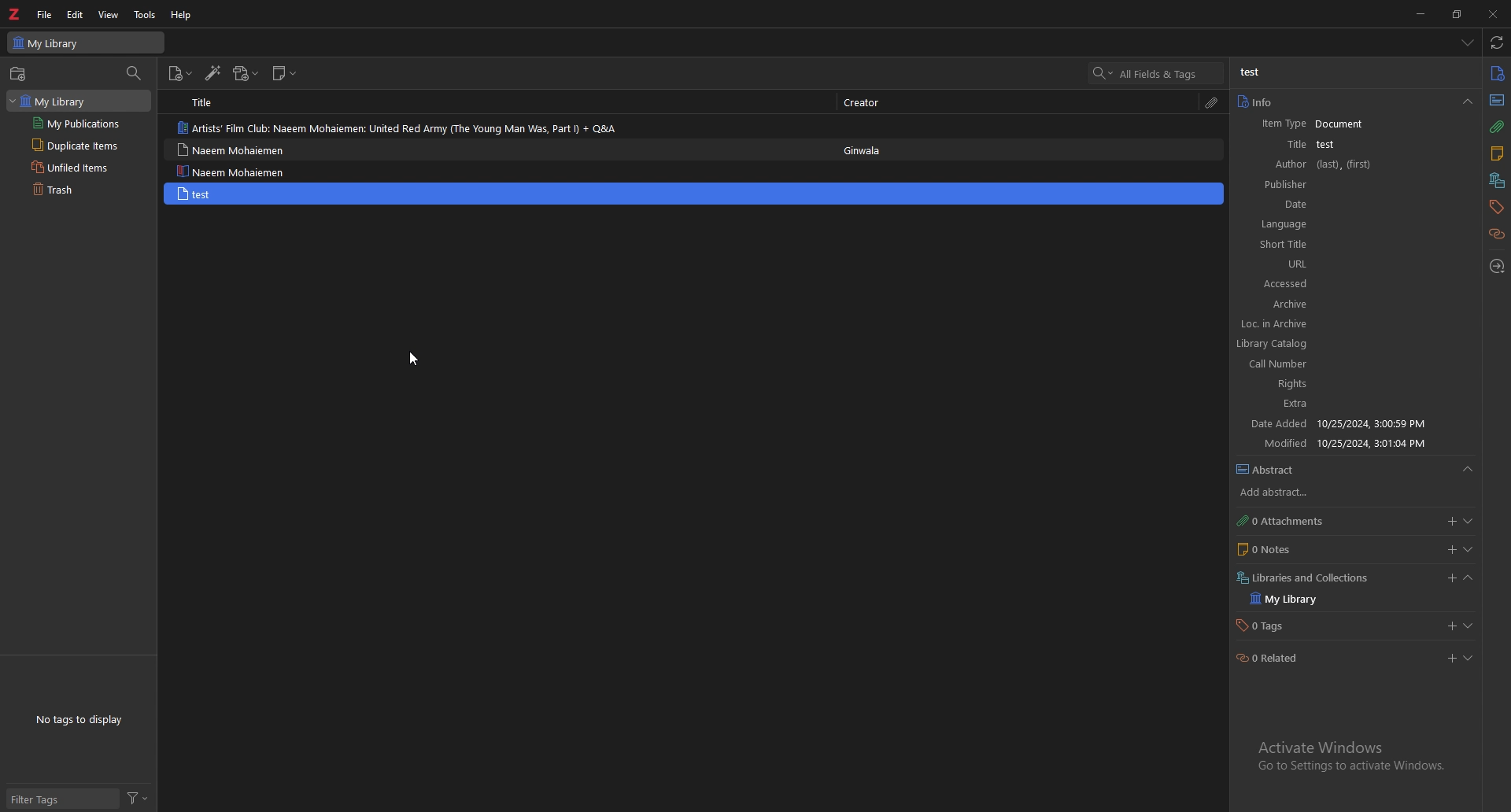 This screenshot has height=812, width=1511. I want to click on Date Added, so click(1340, 423).